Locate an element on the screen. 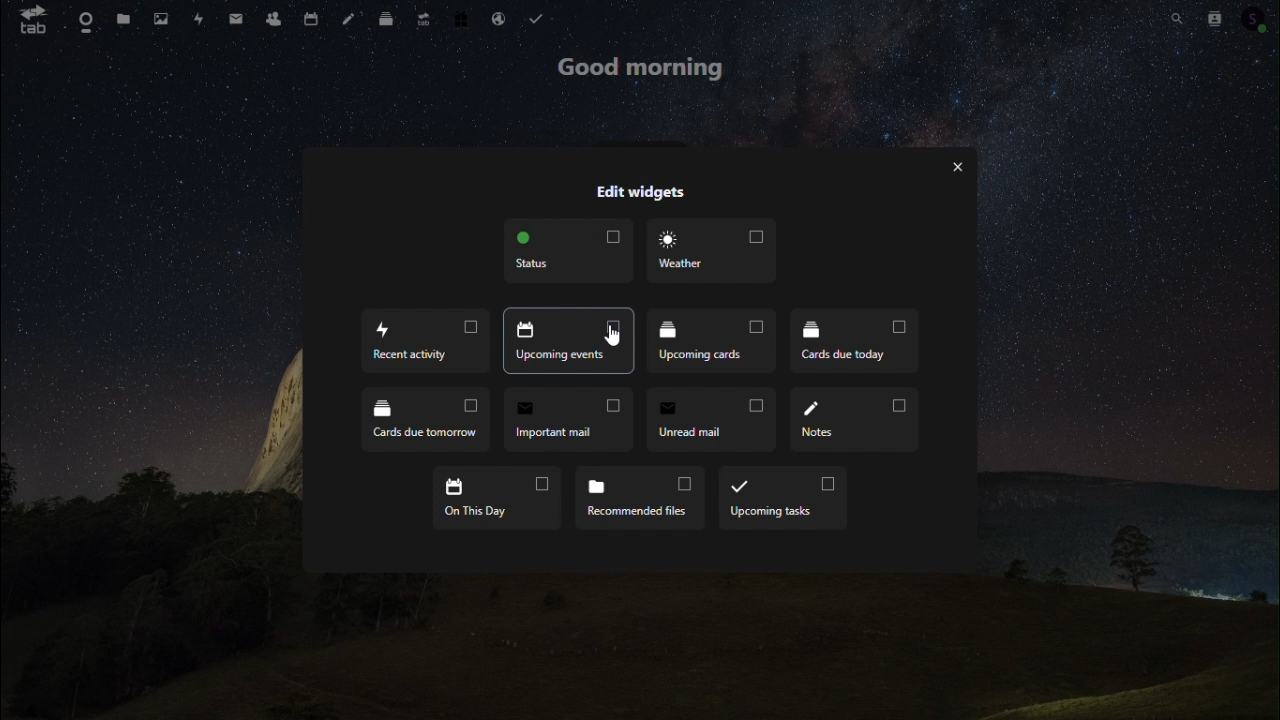  Important mail is located at coordinates (568, 419).